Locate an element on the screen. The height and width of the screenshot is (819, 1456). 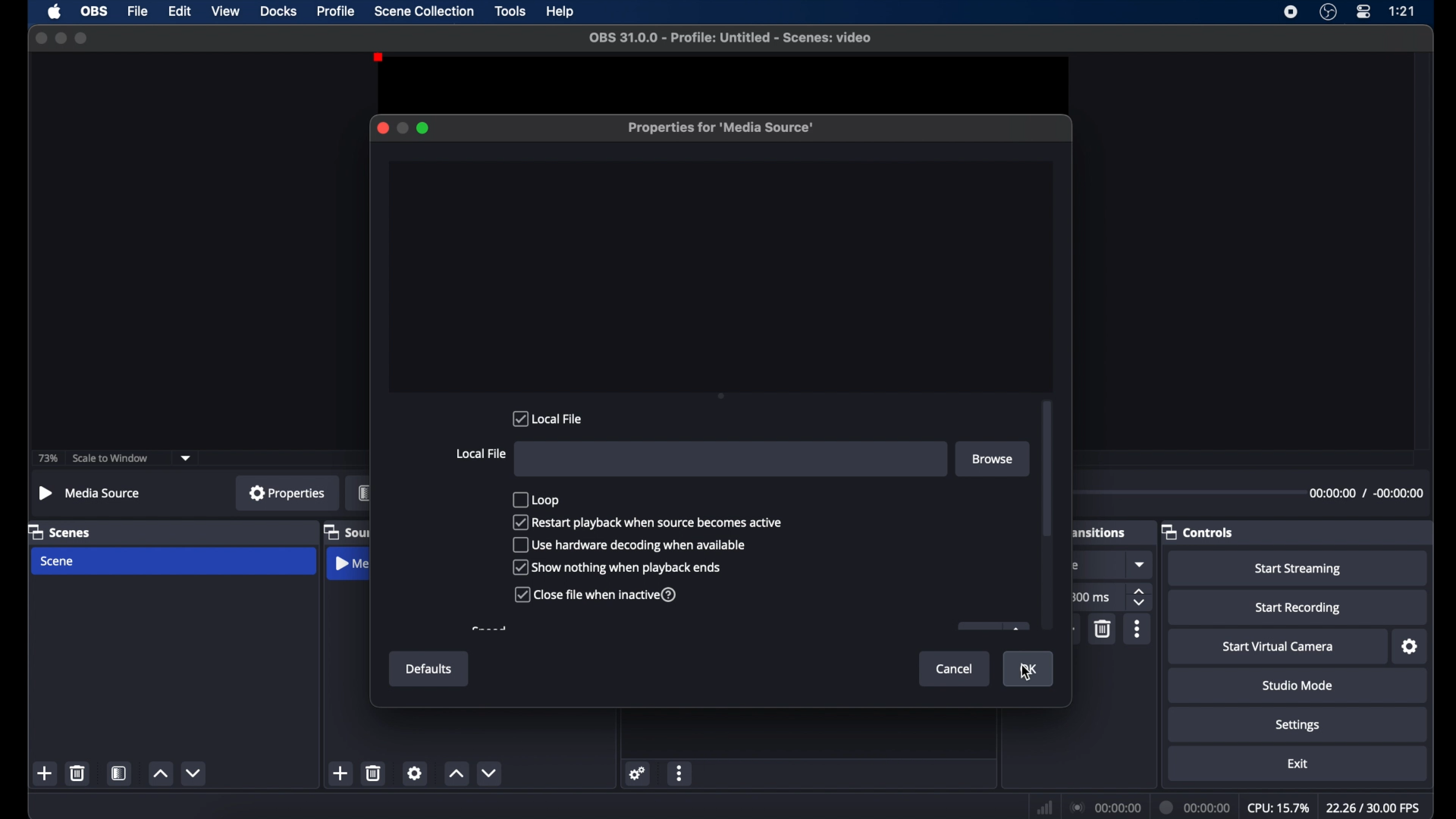
maximize is located at coordinates (425, 128).